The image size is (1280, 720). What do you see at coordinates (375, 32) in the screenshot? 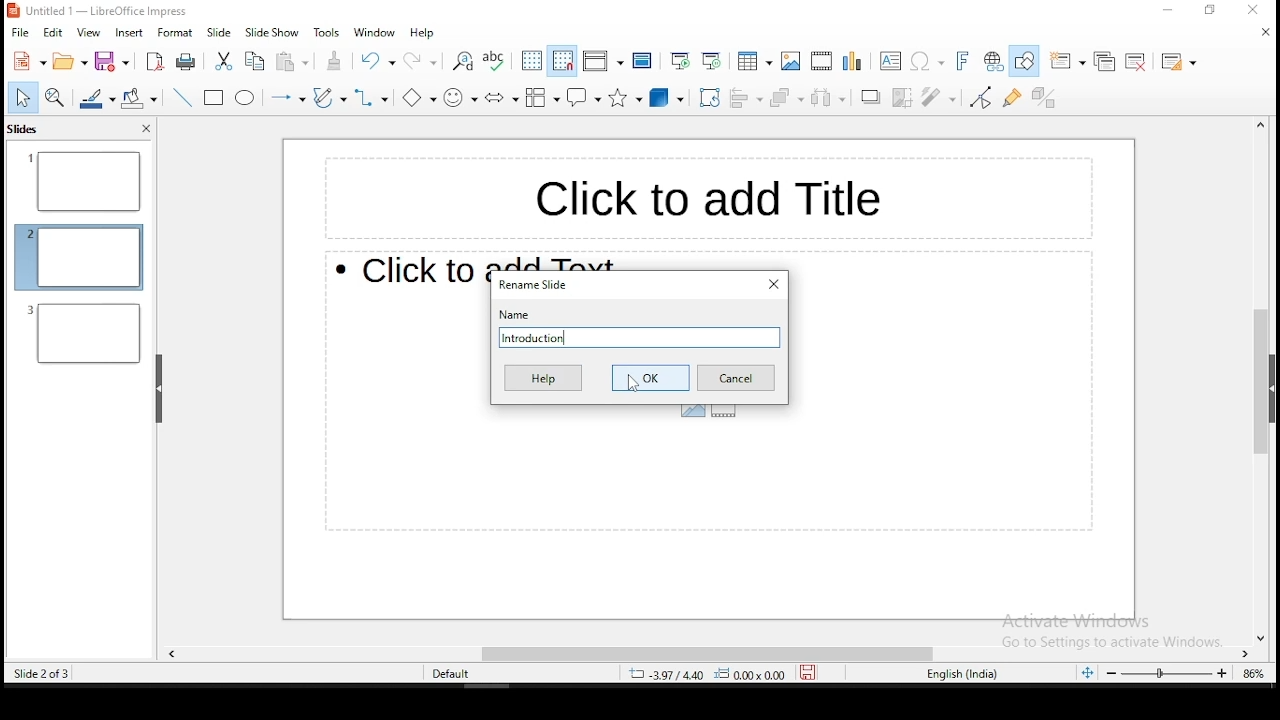
I see `window` at bounding box center [375, 32].